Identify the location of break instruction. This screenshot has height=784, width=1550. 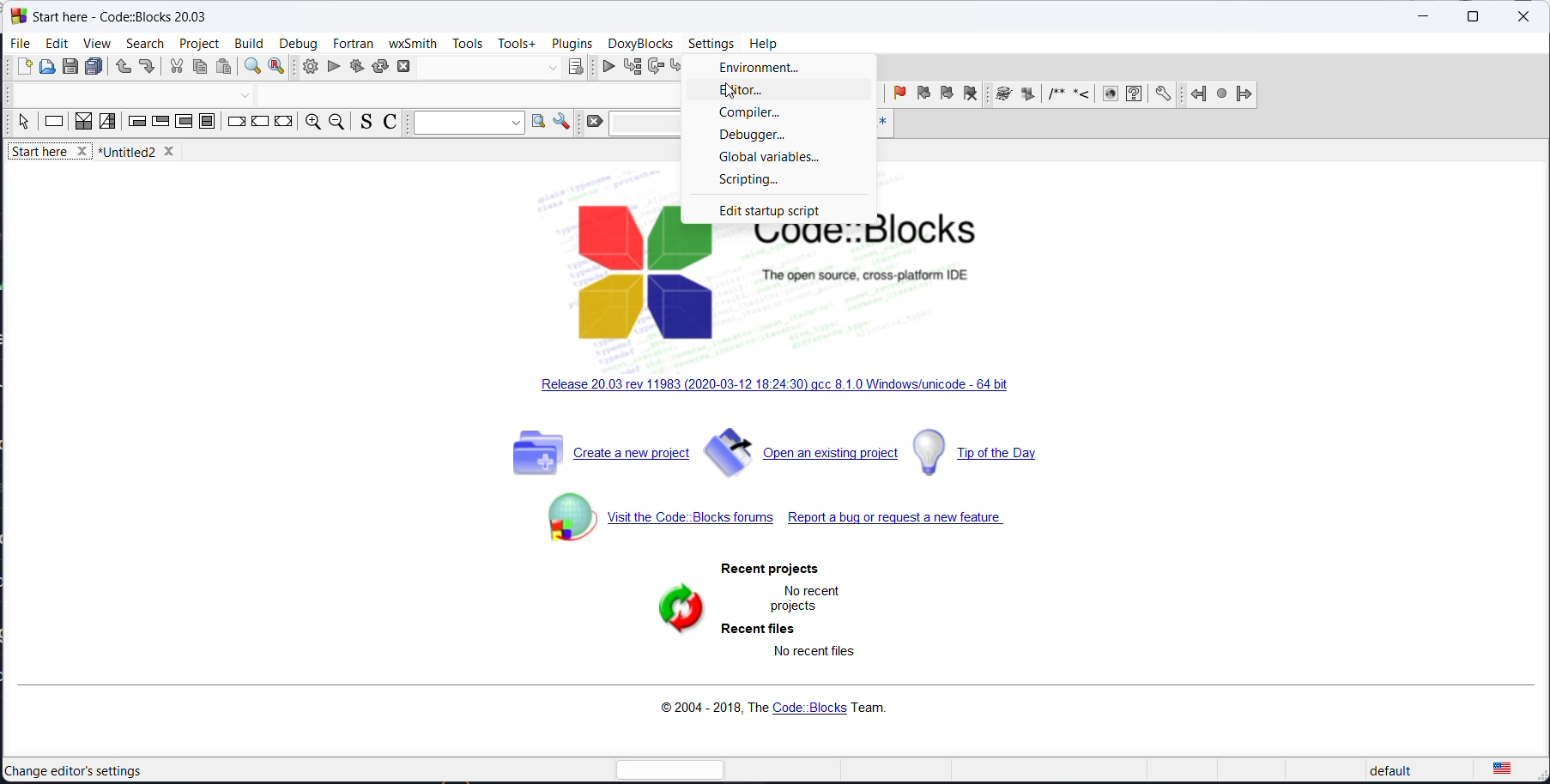
(236, 124).